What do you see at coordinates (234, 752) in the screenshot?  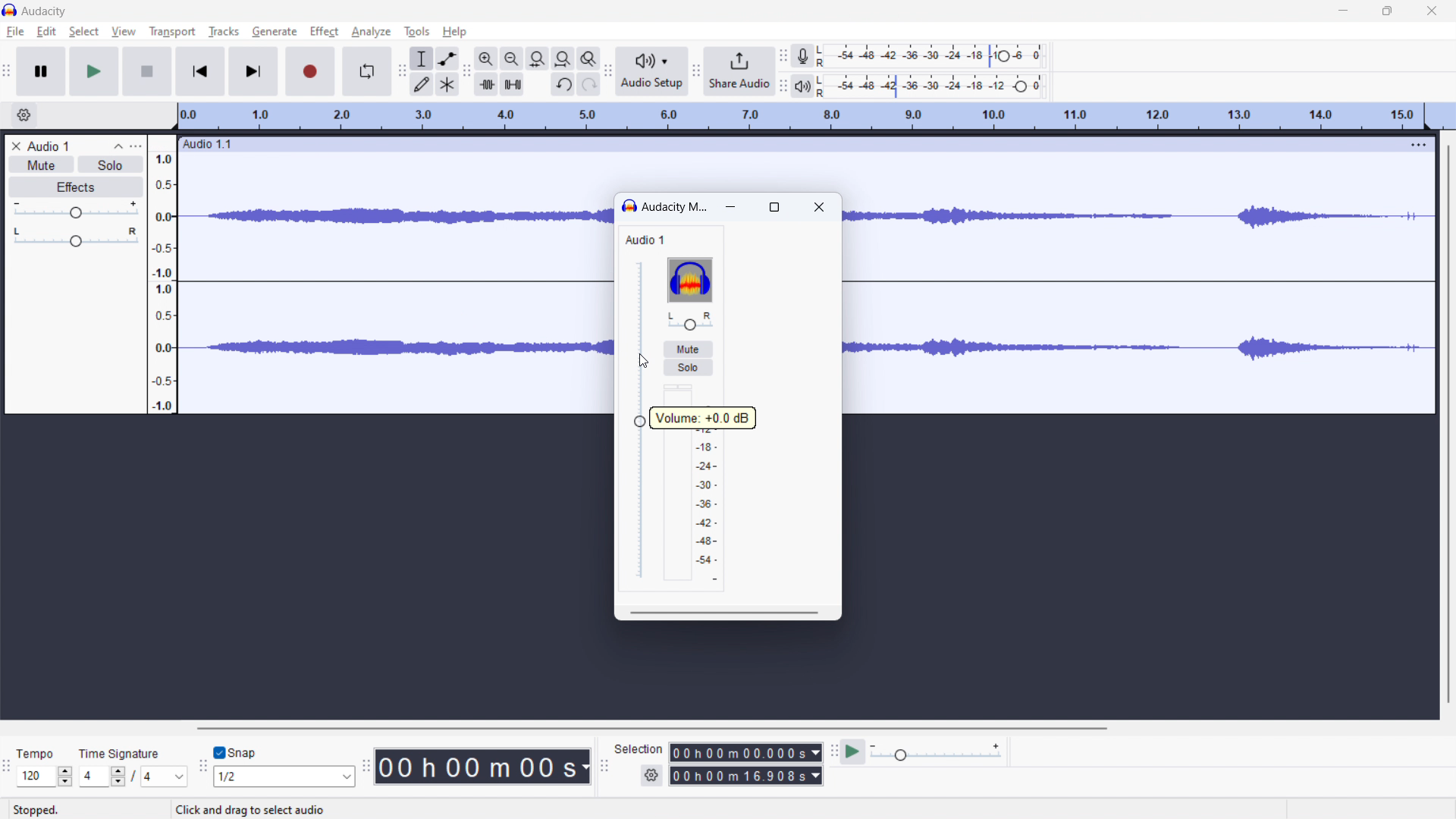 I see `toggle snap` at bounding box center [234, 752].